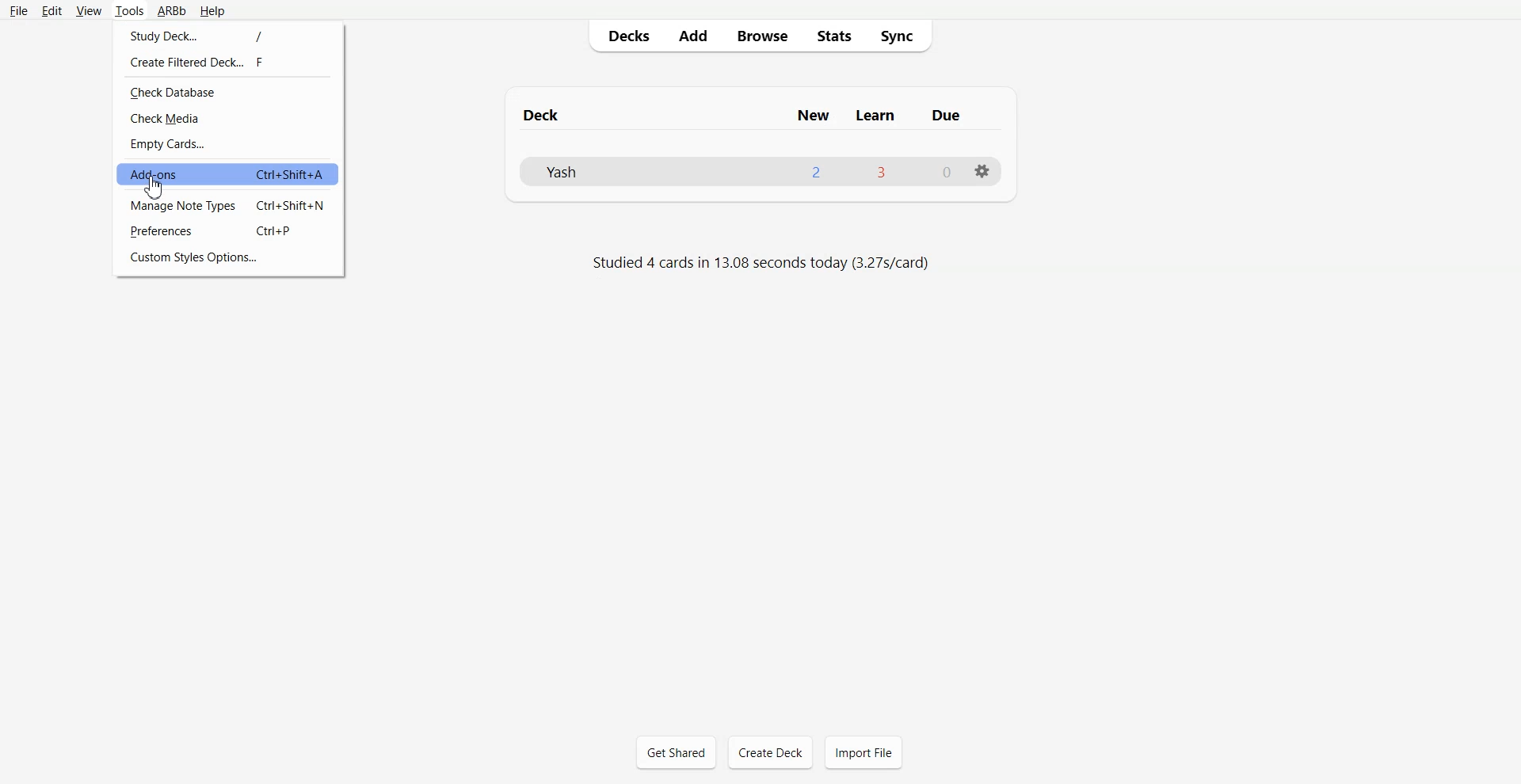 The height and width of the screenshot is (784, 1521). What do you see at coordinates (771, 753) in the screenshot?
I see `Create Deck` at bounding box center [771, 753].